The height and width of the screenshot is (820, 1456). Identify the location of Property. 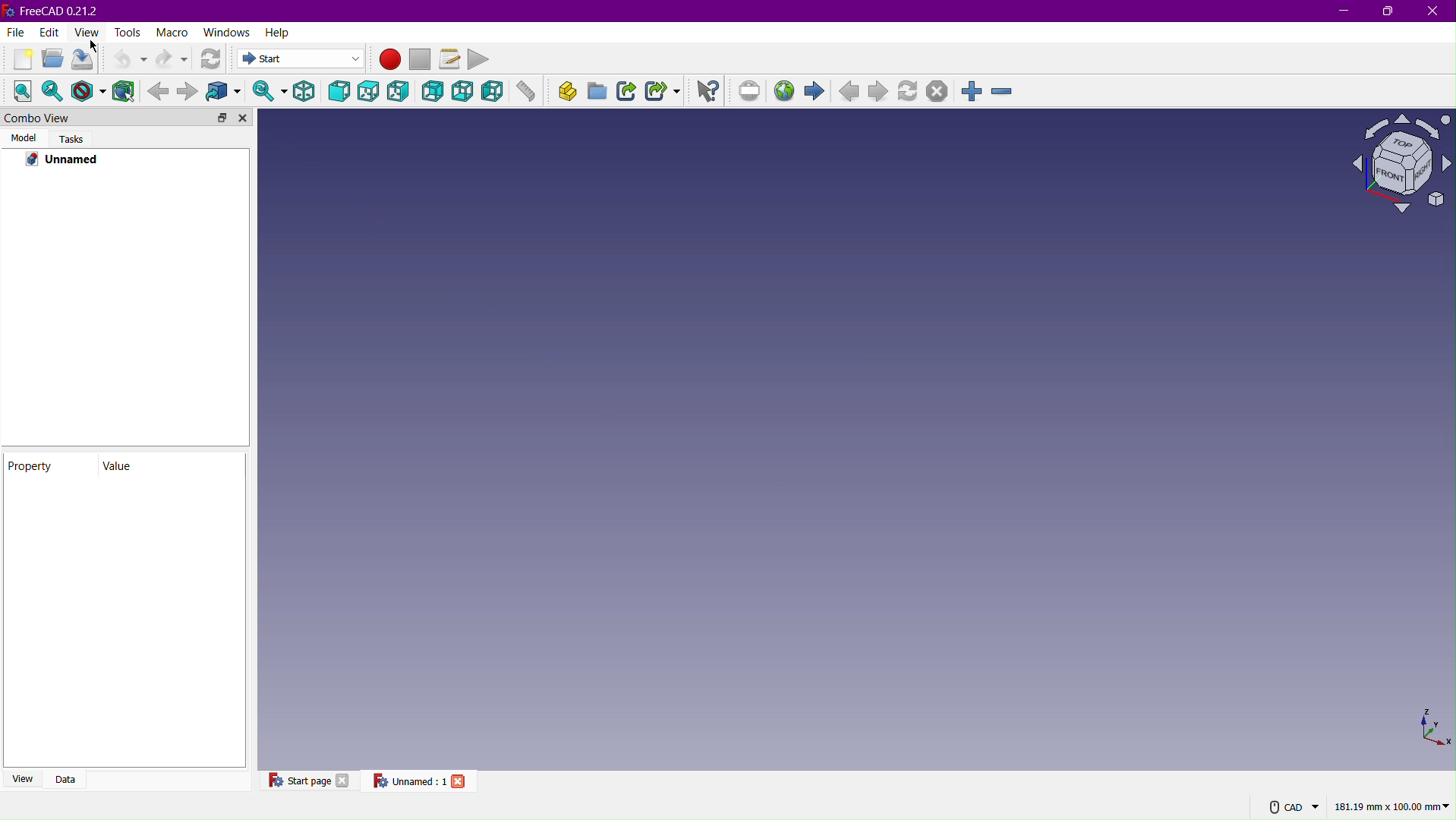
(42, 463).